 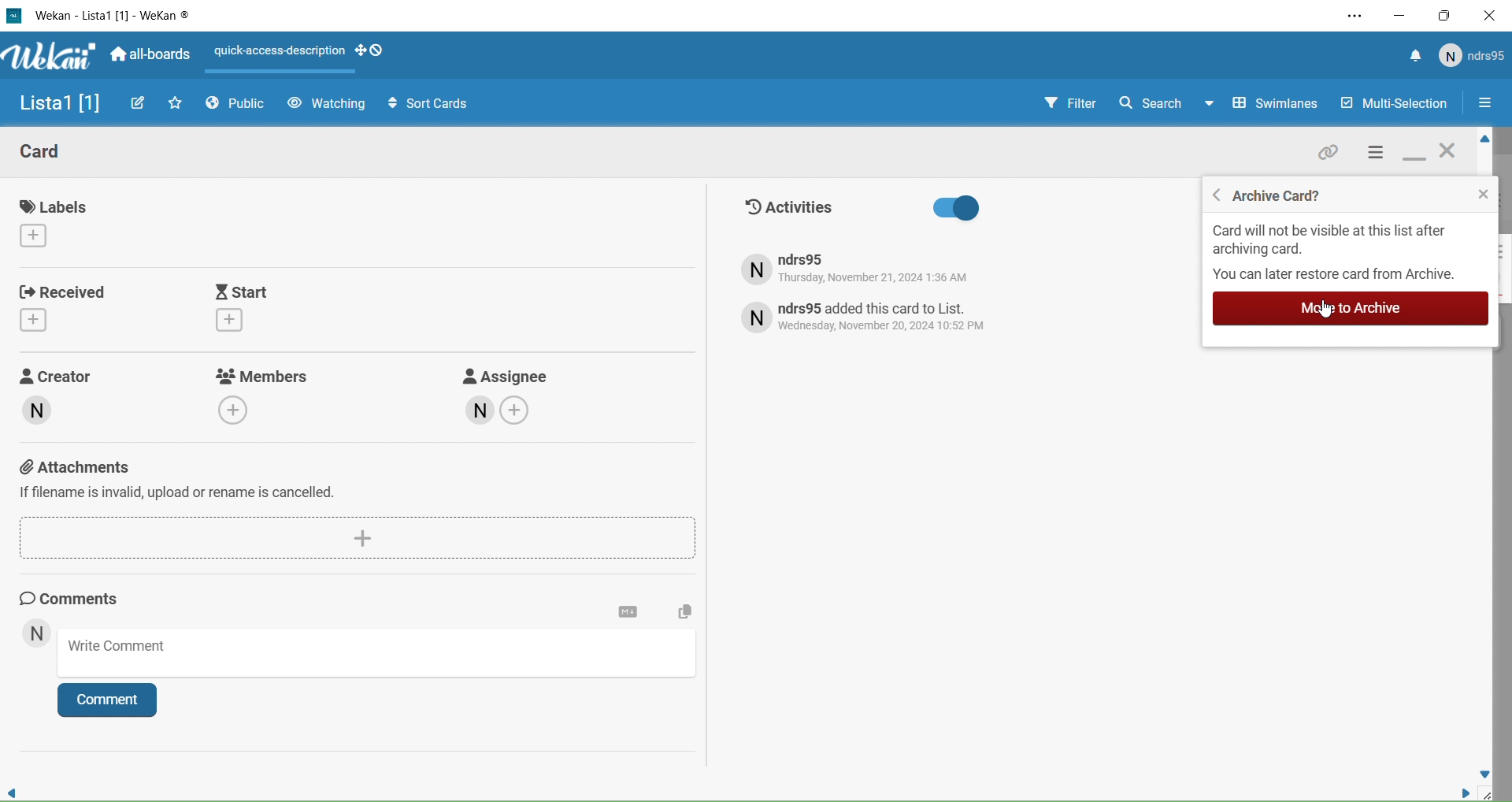 I want to click on Creator, so click(x=64, y=394).